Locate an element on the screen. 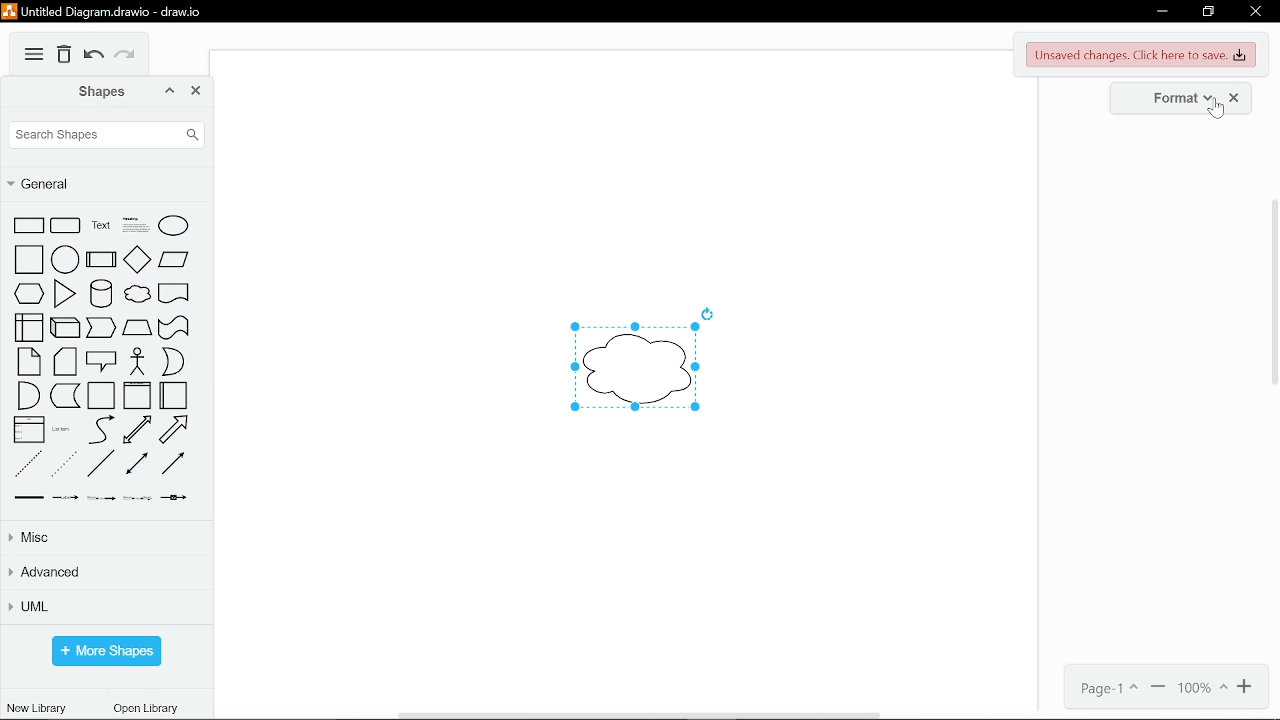 Image resolution: width=1280 pixels, height=720 pixels. general is located at coordinates (106, 186).